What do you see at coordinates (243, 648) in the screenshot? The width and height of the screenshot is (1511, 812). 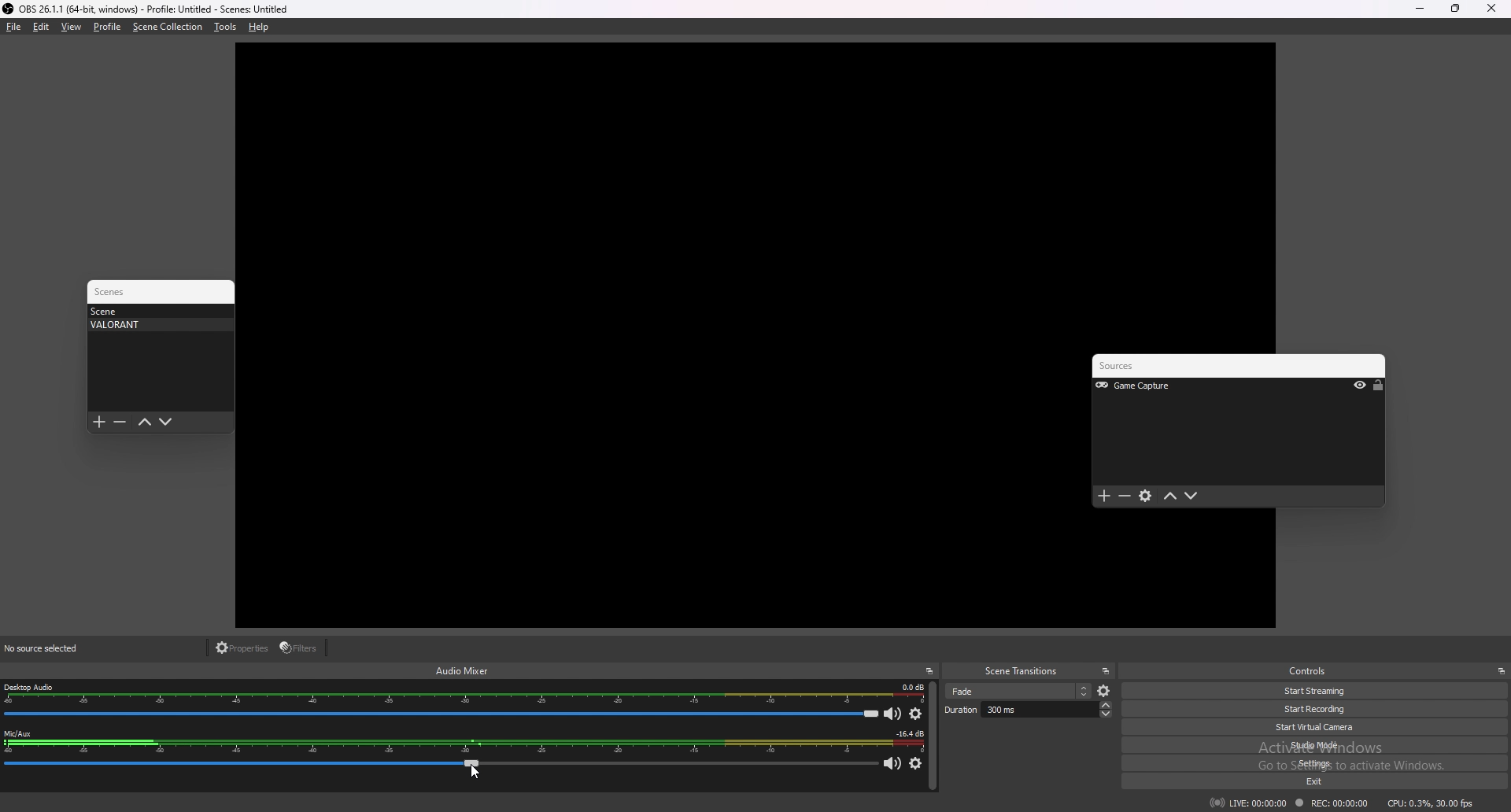 I see `properties` at bounding box center [243, 648].